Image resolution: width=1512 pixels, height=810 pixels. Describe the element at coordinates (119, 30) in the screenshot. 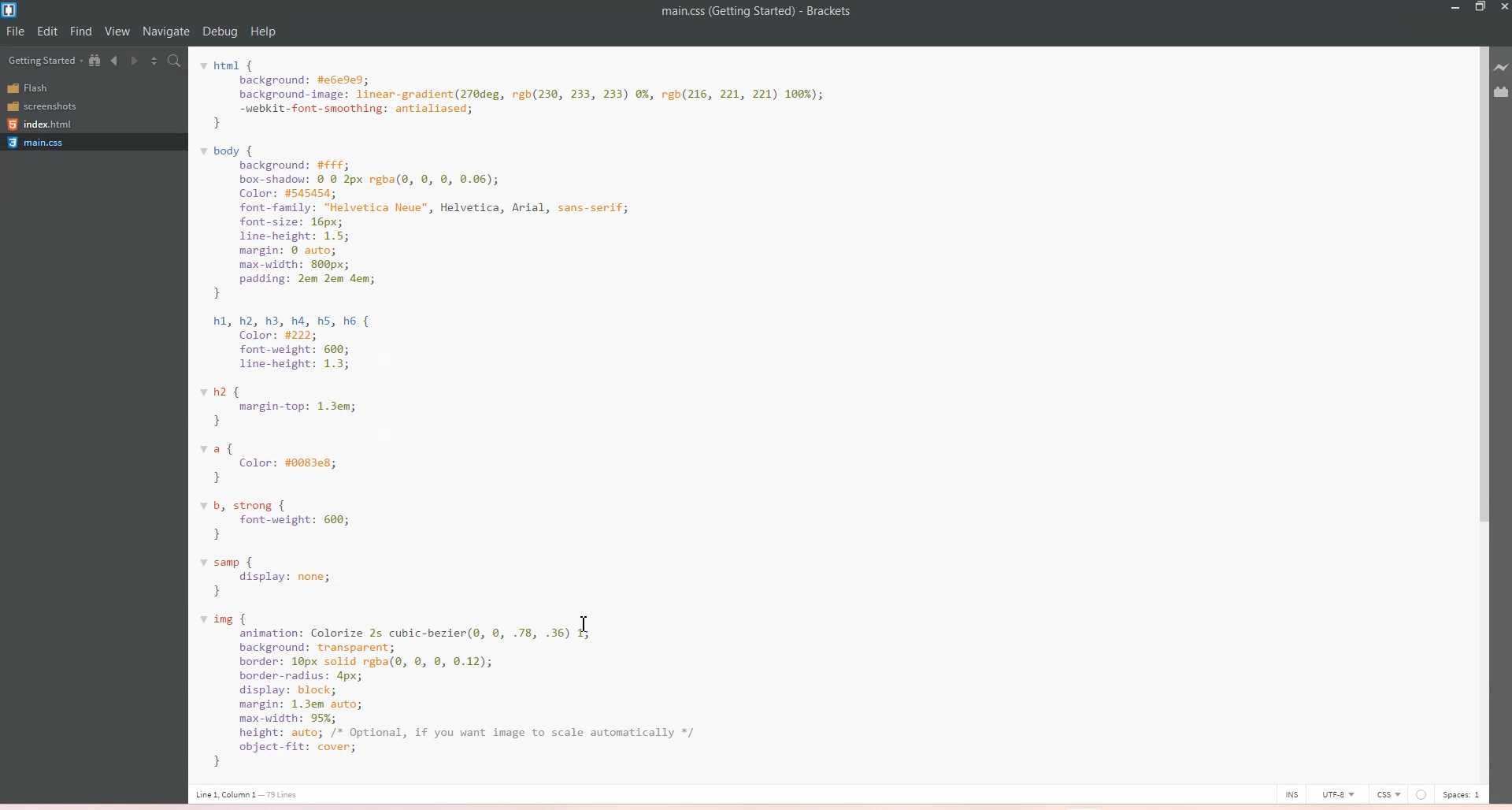

I see `View` at that location.